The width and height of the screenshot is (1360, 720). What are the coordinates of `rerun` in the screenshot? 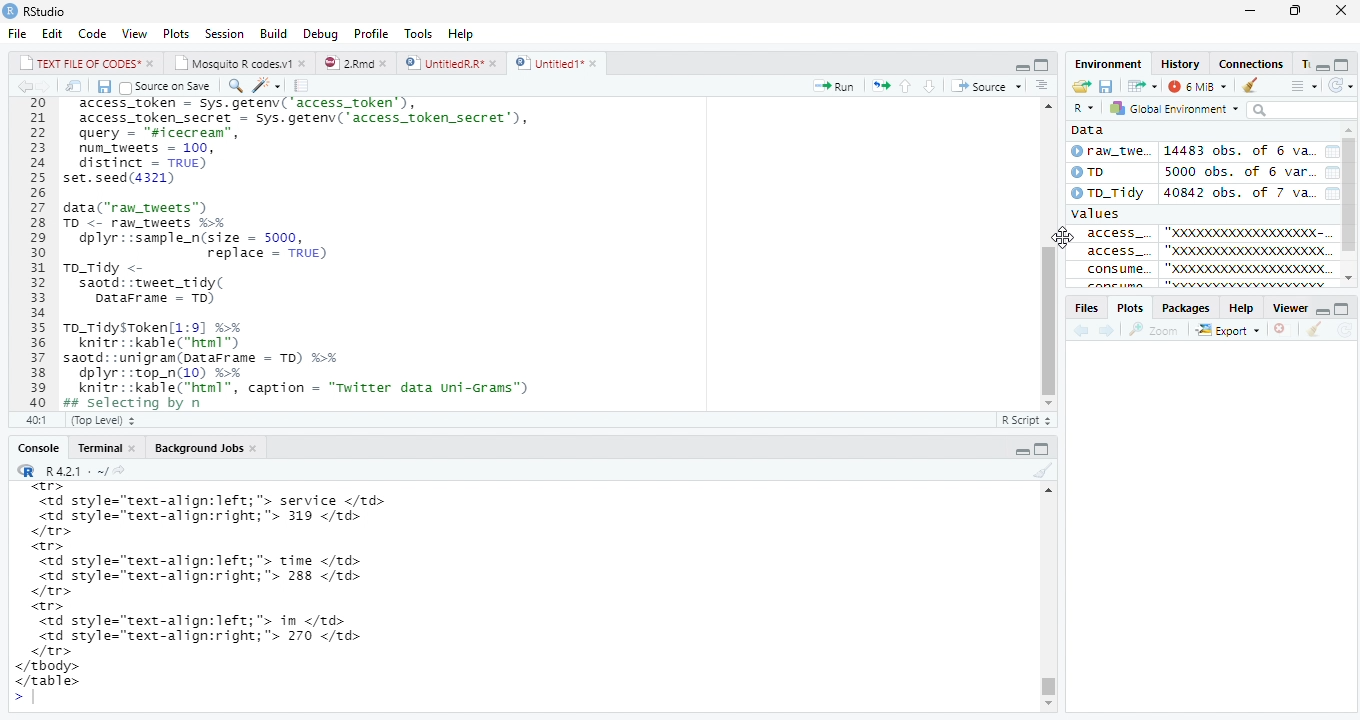 It's located at (883, 84).